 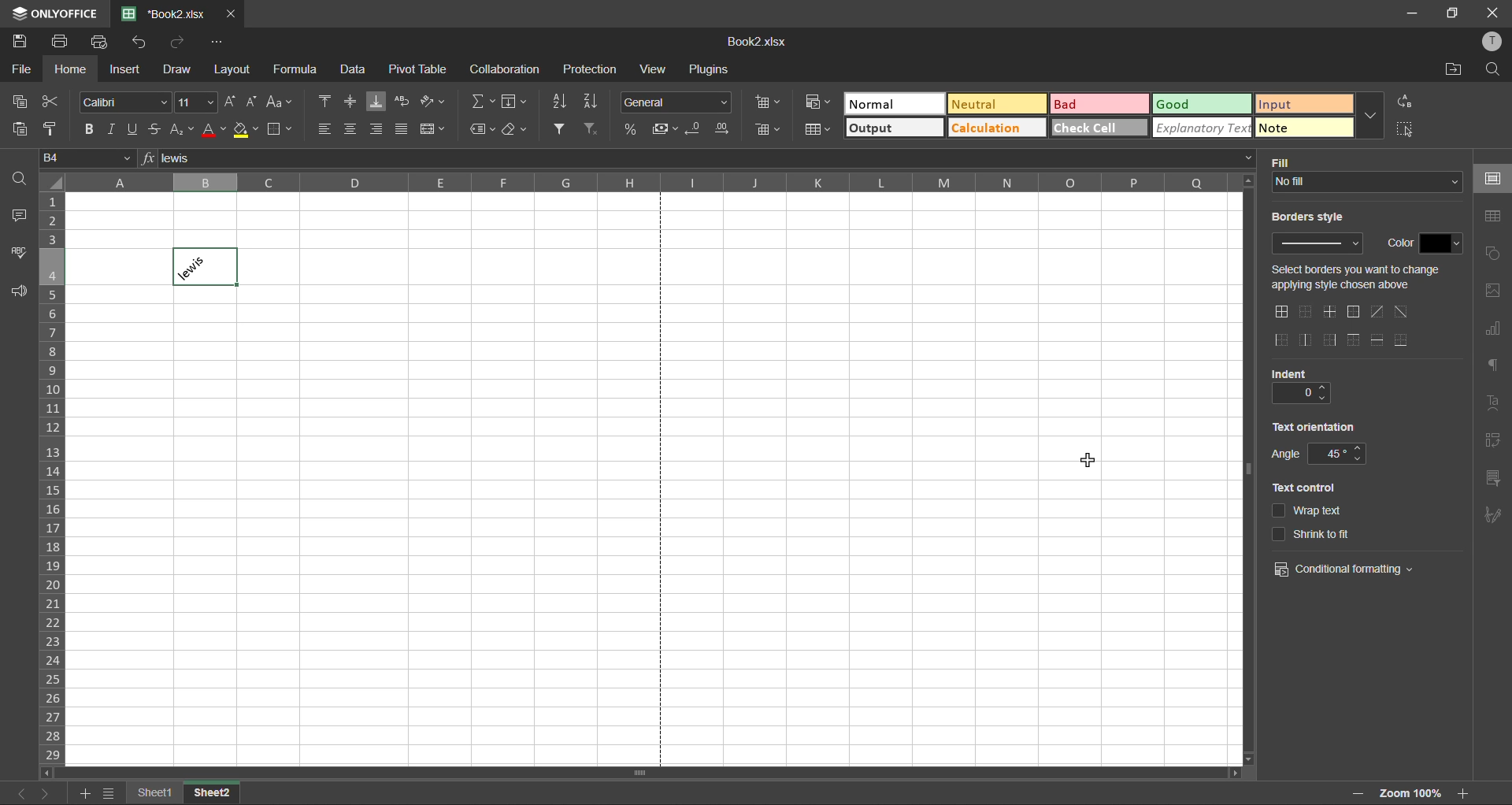 I want to click on select all, so click(x=1406, y=128).